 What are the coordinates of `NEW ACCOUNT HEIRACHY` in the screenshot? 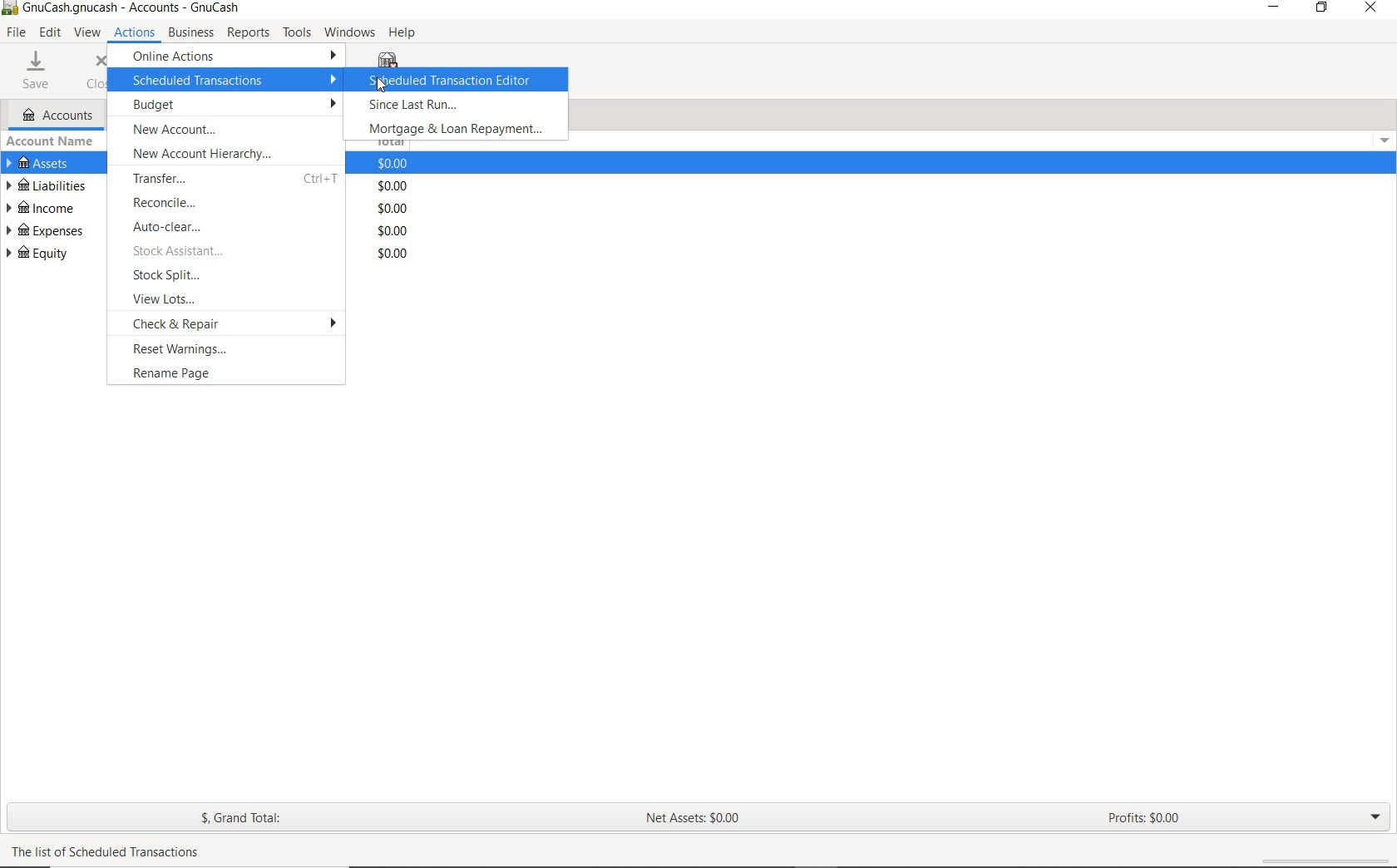 It's located at (230, 155).